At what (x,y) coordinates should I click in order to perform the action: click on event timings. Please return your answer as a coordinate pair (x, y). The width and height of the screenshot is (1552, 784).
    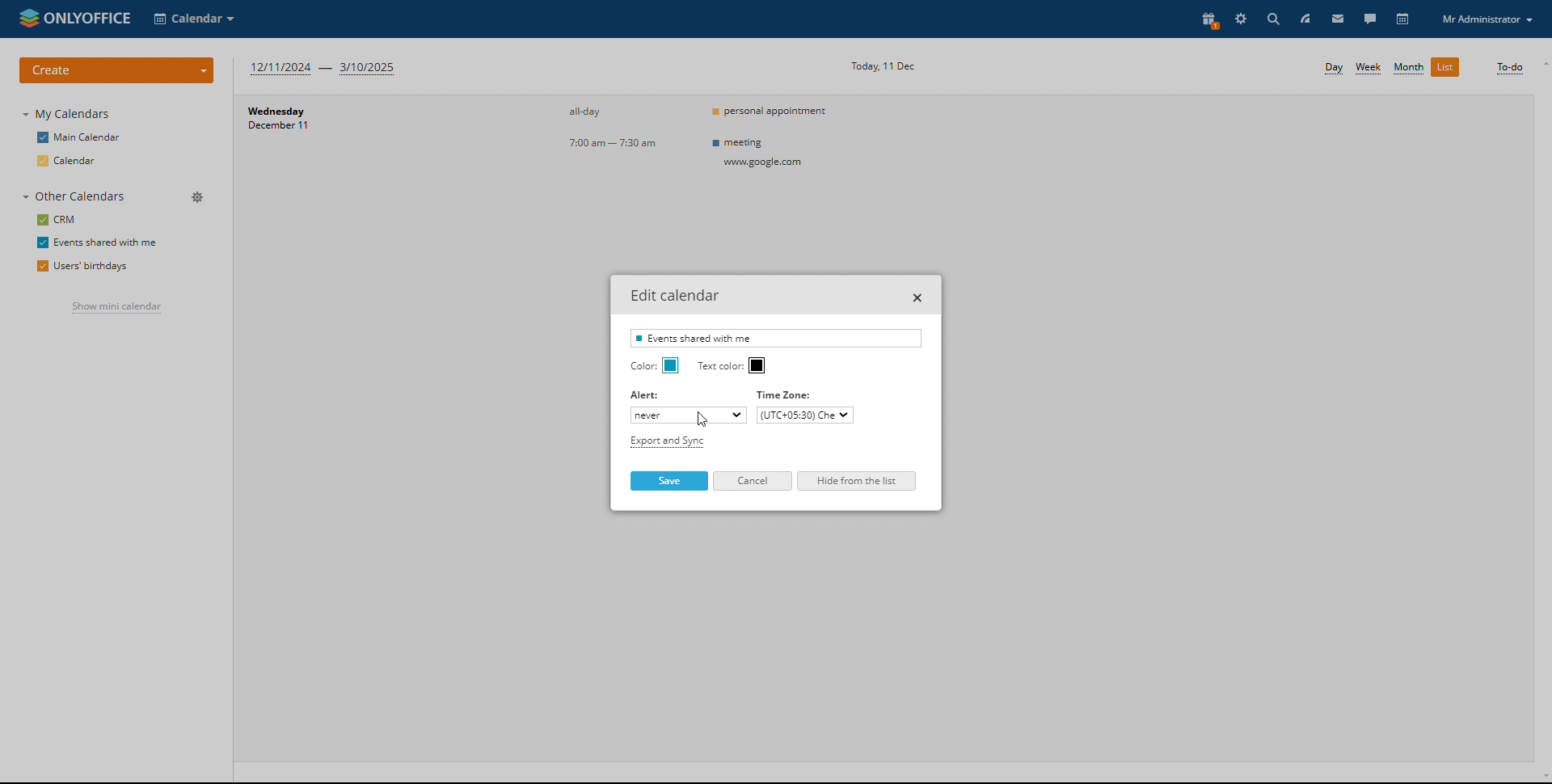
    Looking at the image, I should click on (618, 129).